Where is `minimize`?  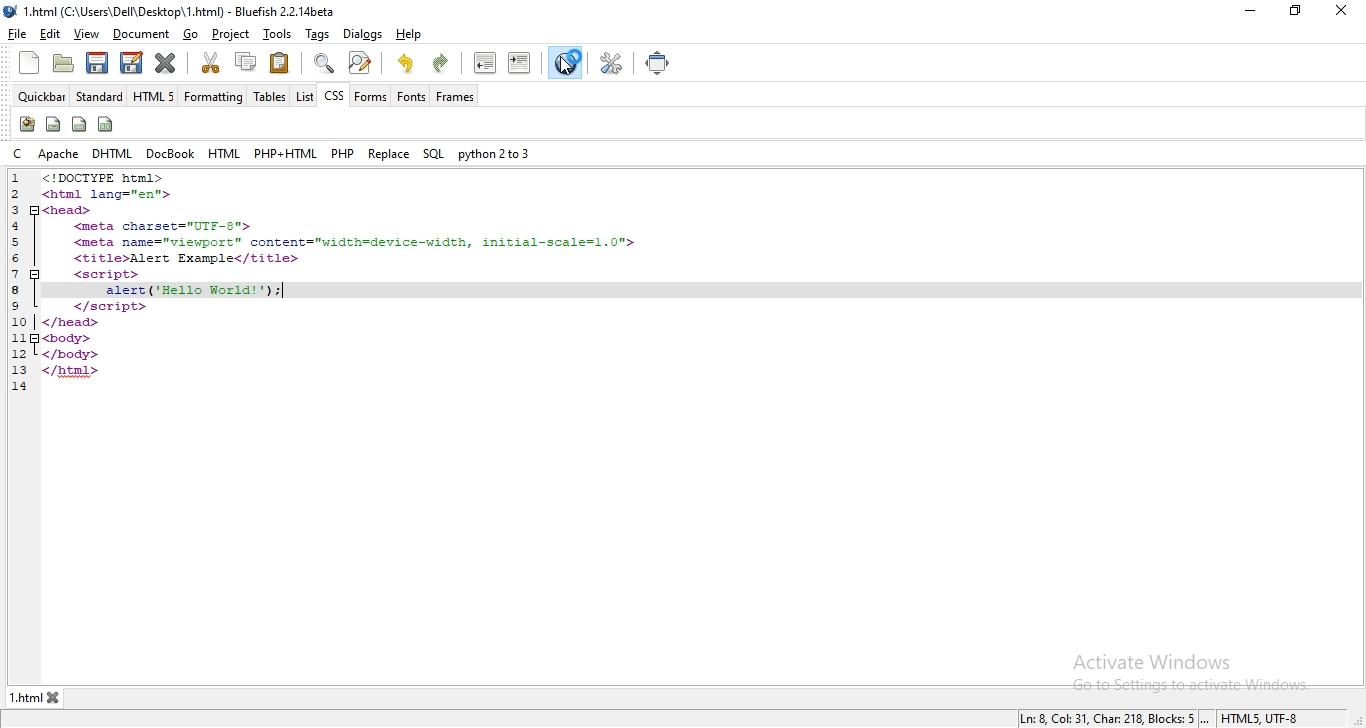 minimize is located at coordinates (1249, 11).